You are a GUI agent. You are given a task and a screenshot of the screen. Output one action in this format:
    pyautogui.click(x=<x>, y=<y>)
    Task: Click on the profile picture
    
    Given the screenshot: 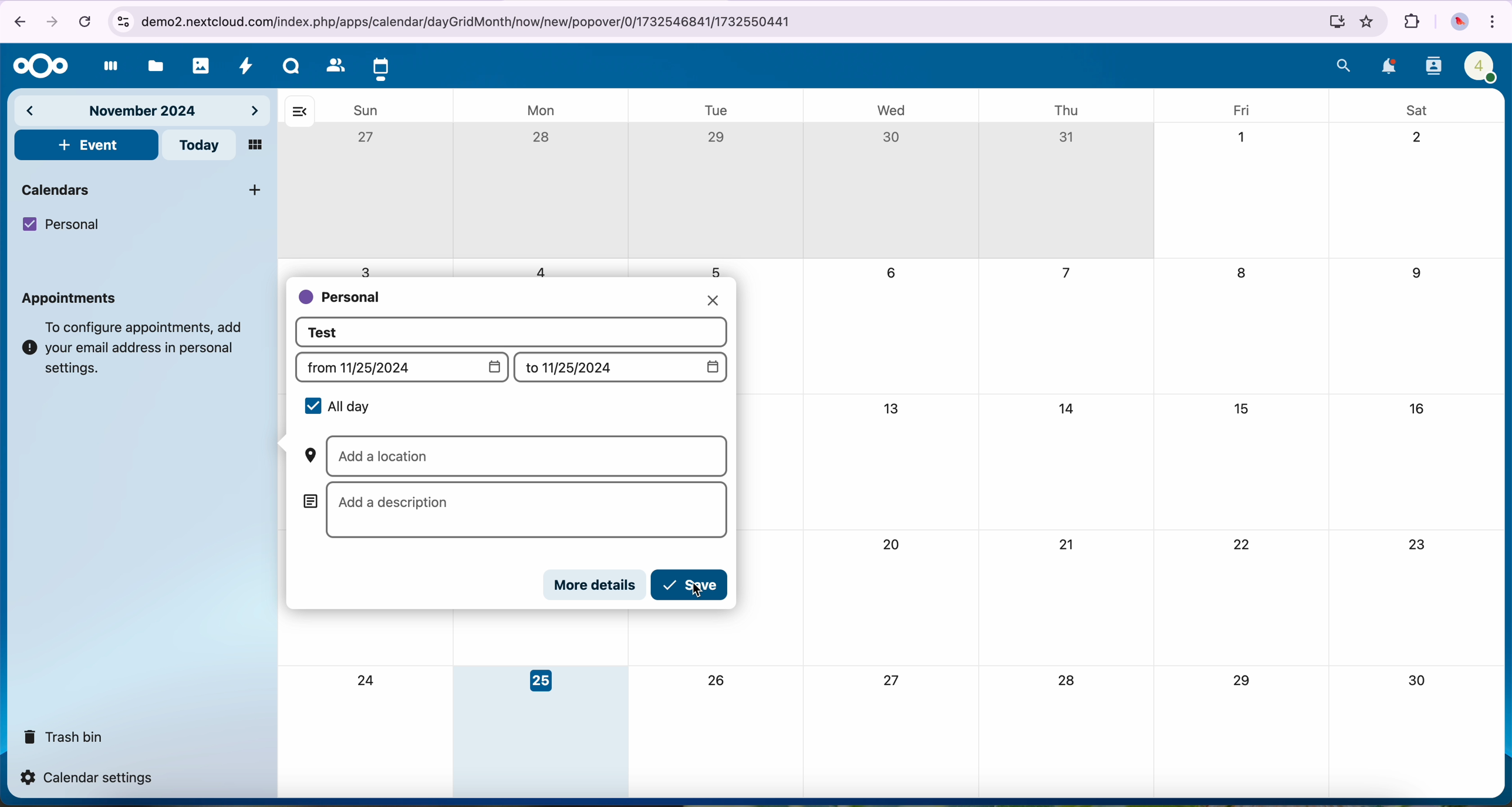 What is the action you would take?
    pyautogui.click(x=1457, y=23)
    